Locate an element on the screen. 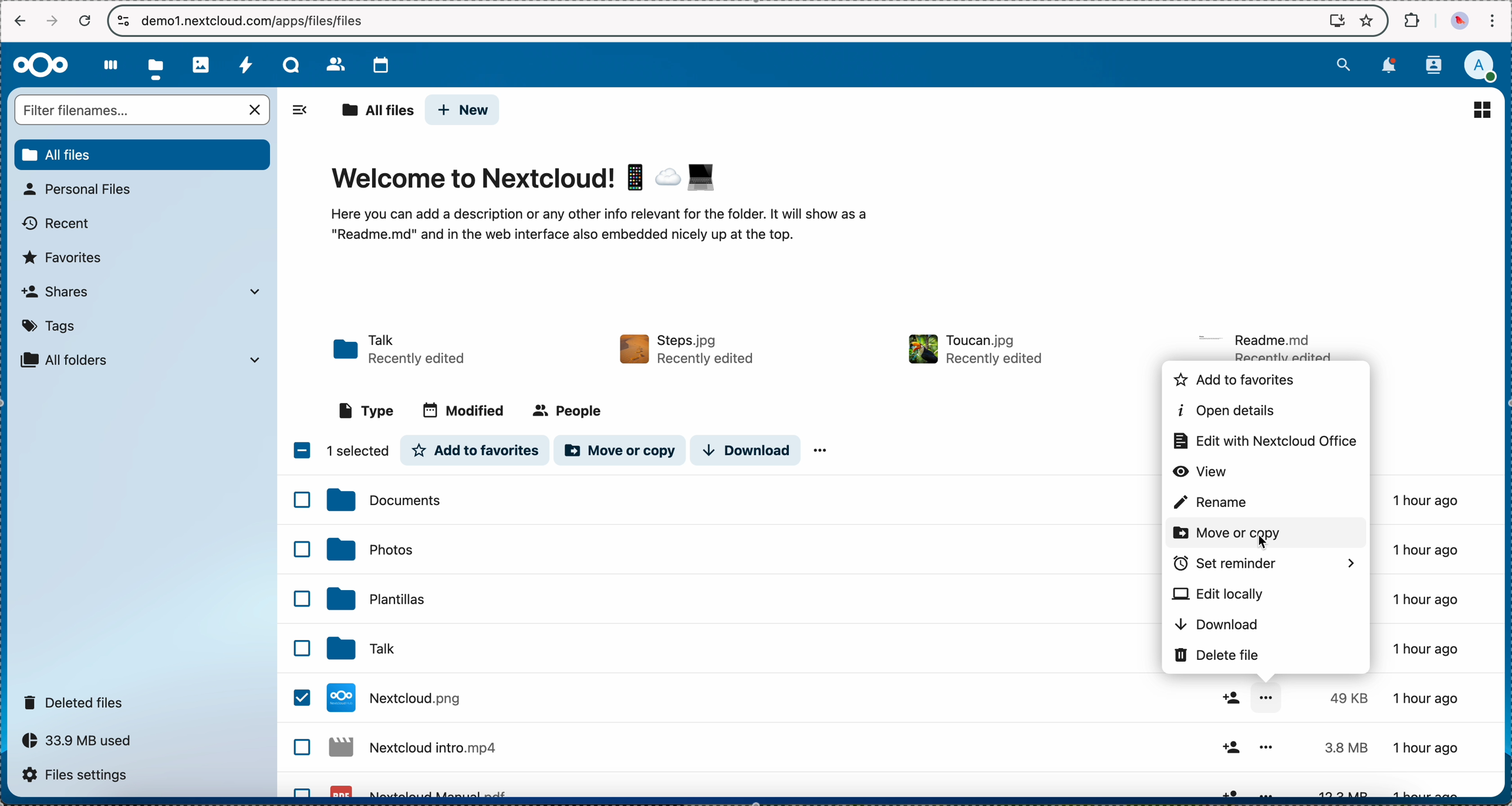 This screenshot has height=806, width=1512. 1 item selected is located at coordinates (342, 451).